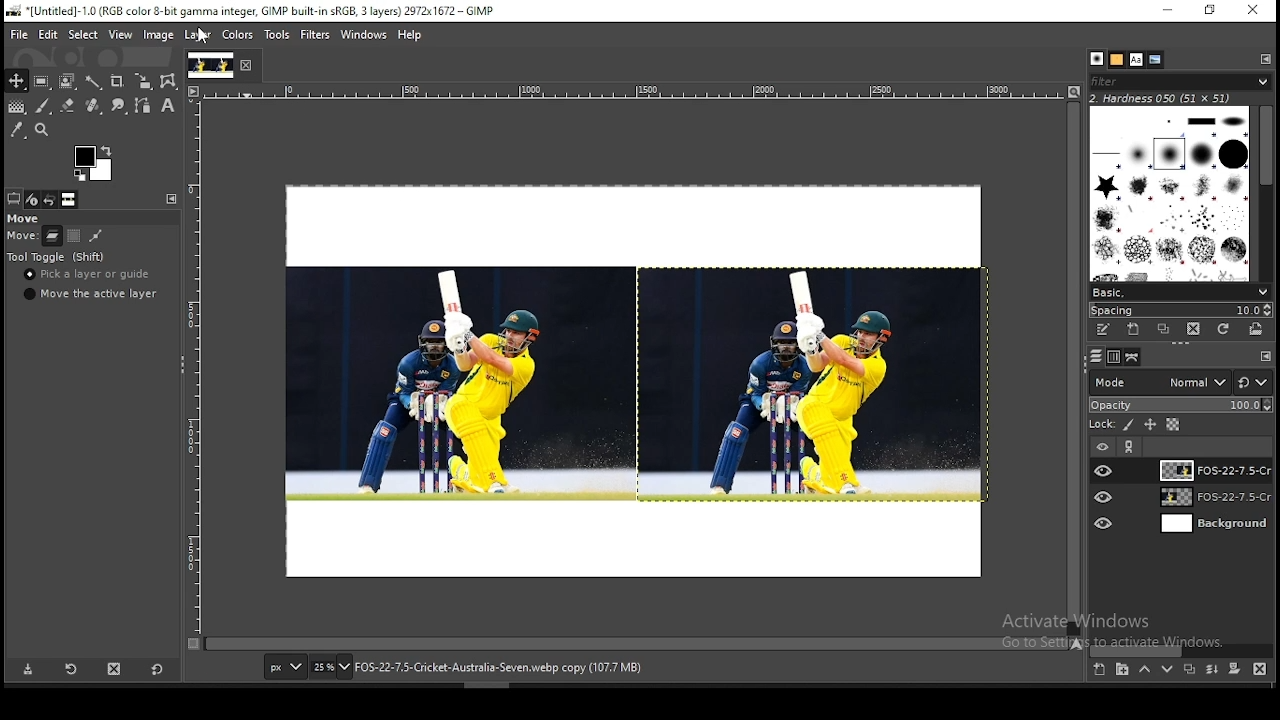 The image size is (1280, 720). Describe the element at coordinates (1094, 357) in the screenshot. I see `layers` at that location.